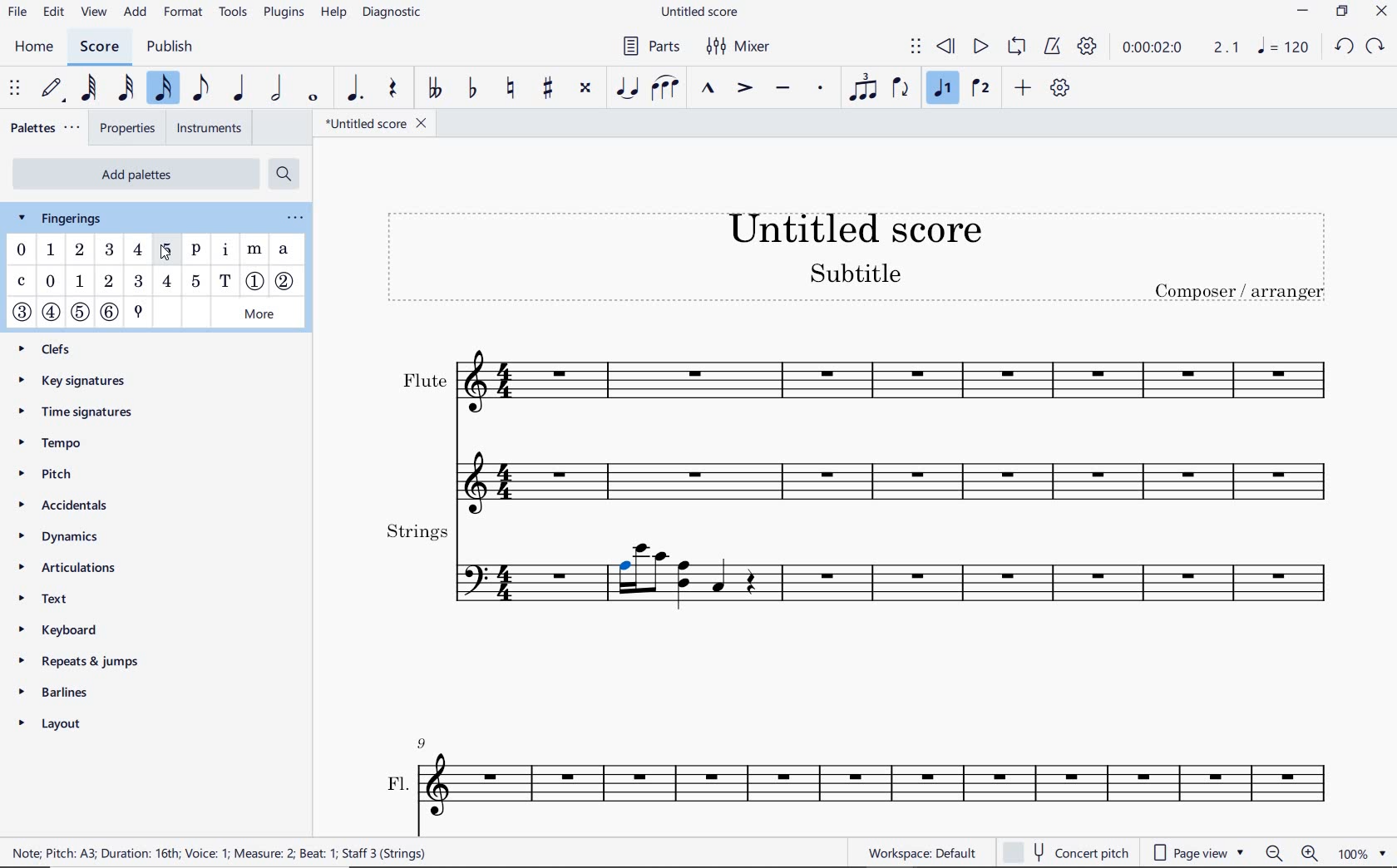  I want to click on toggle double-sharp, so click(586, 88).